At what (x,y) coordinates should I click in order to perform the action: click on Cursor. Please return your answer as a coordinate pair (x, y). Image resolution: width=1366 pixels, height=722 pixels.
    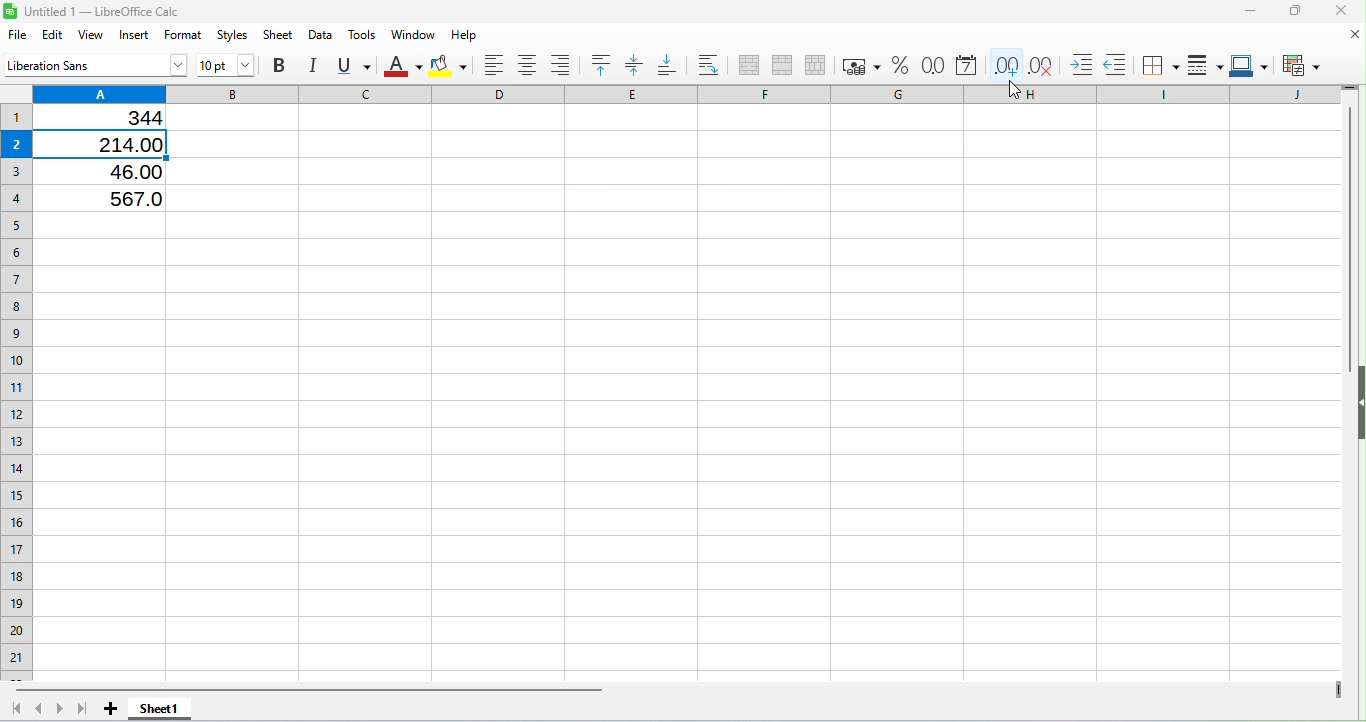
    Looking at the image, I should click on (1013, 89).